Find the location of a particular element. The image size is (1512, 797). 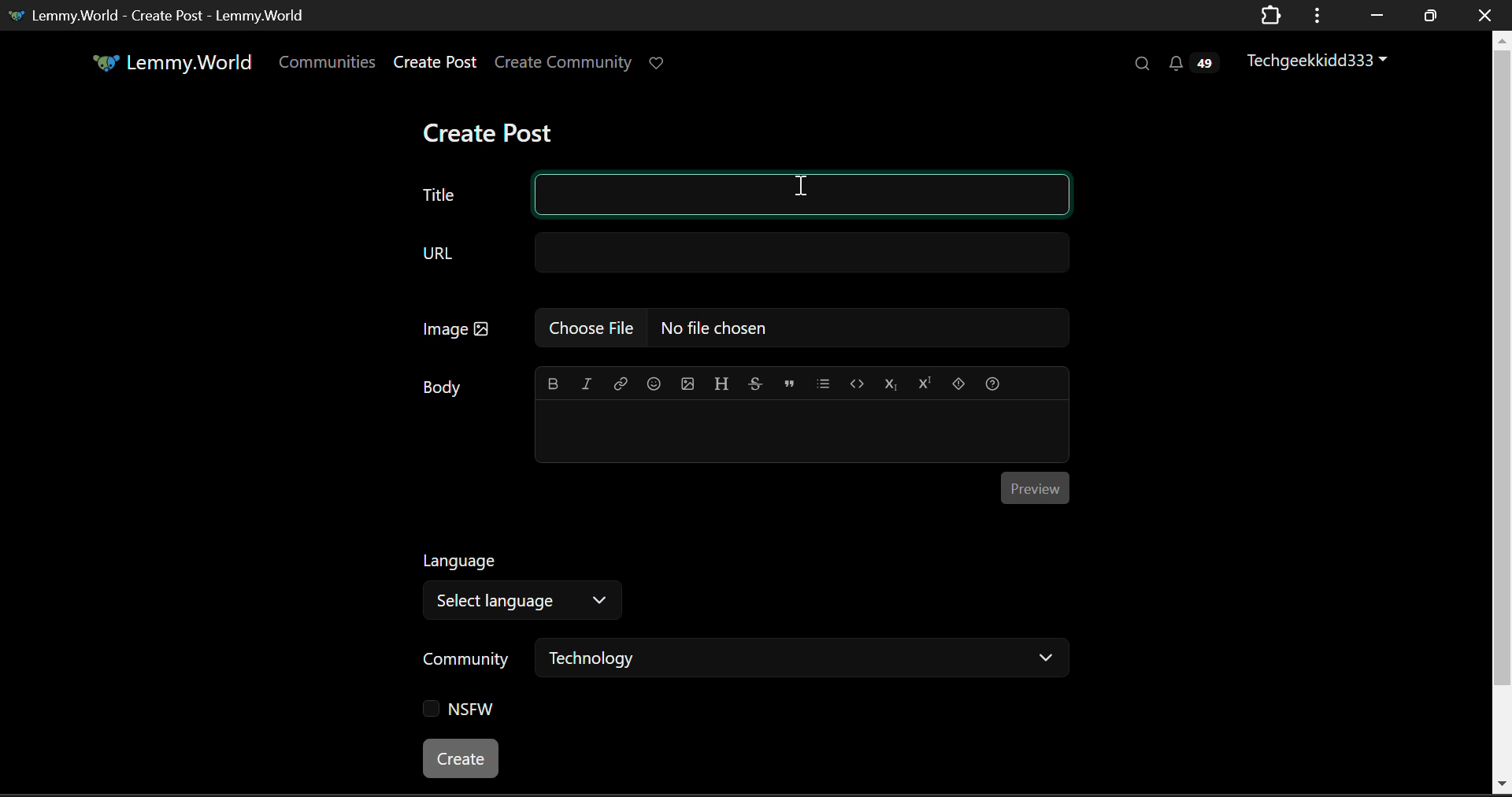

Create is located at coordinates (463, 759).